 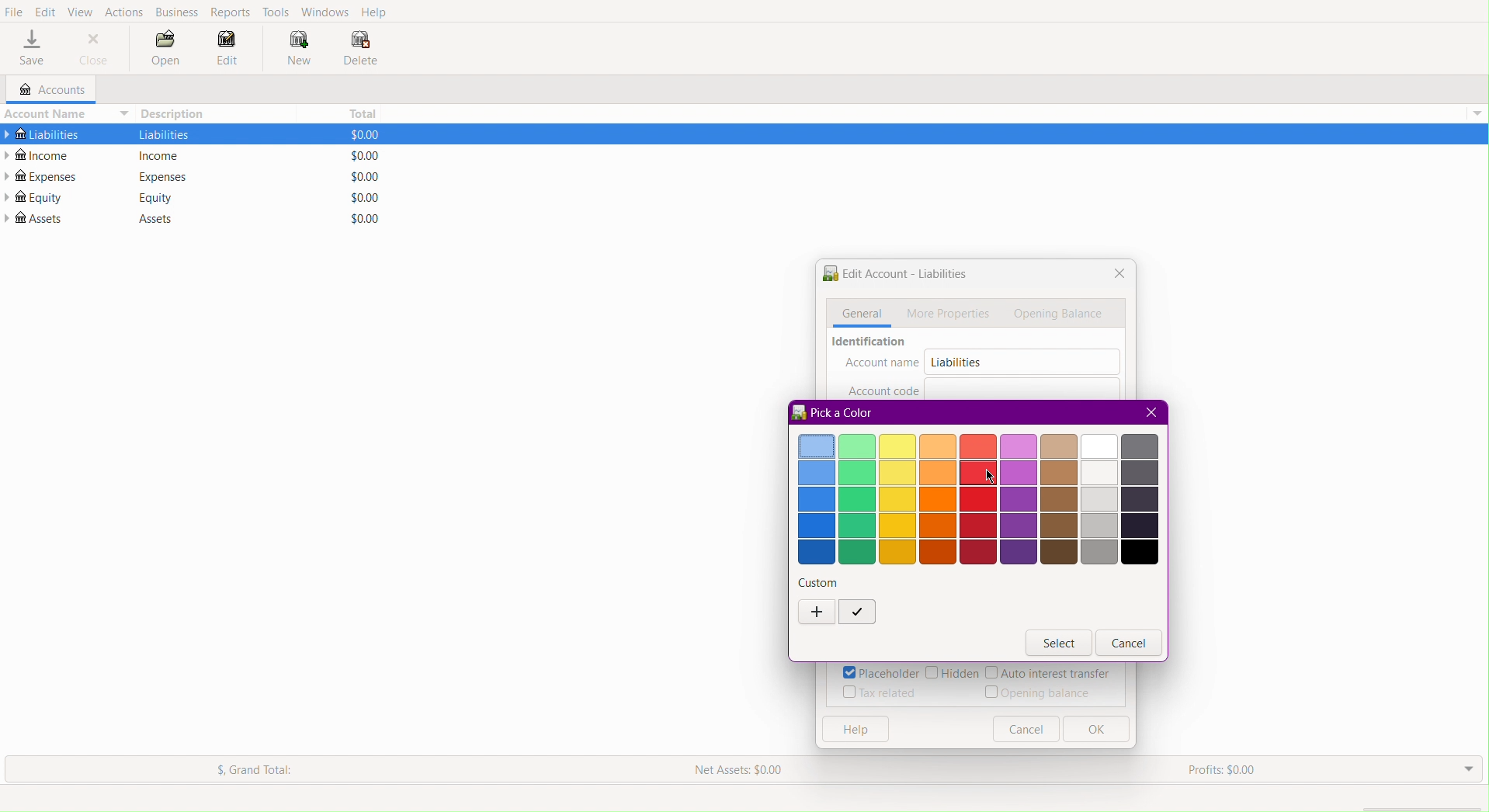 I want to click on liabilities, so click(x=164, y=134).